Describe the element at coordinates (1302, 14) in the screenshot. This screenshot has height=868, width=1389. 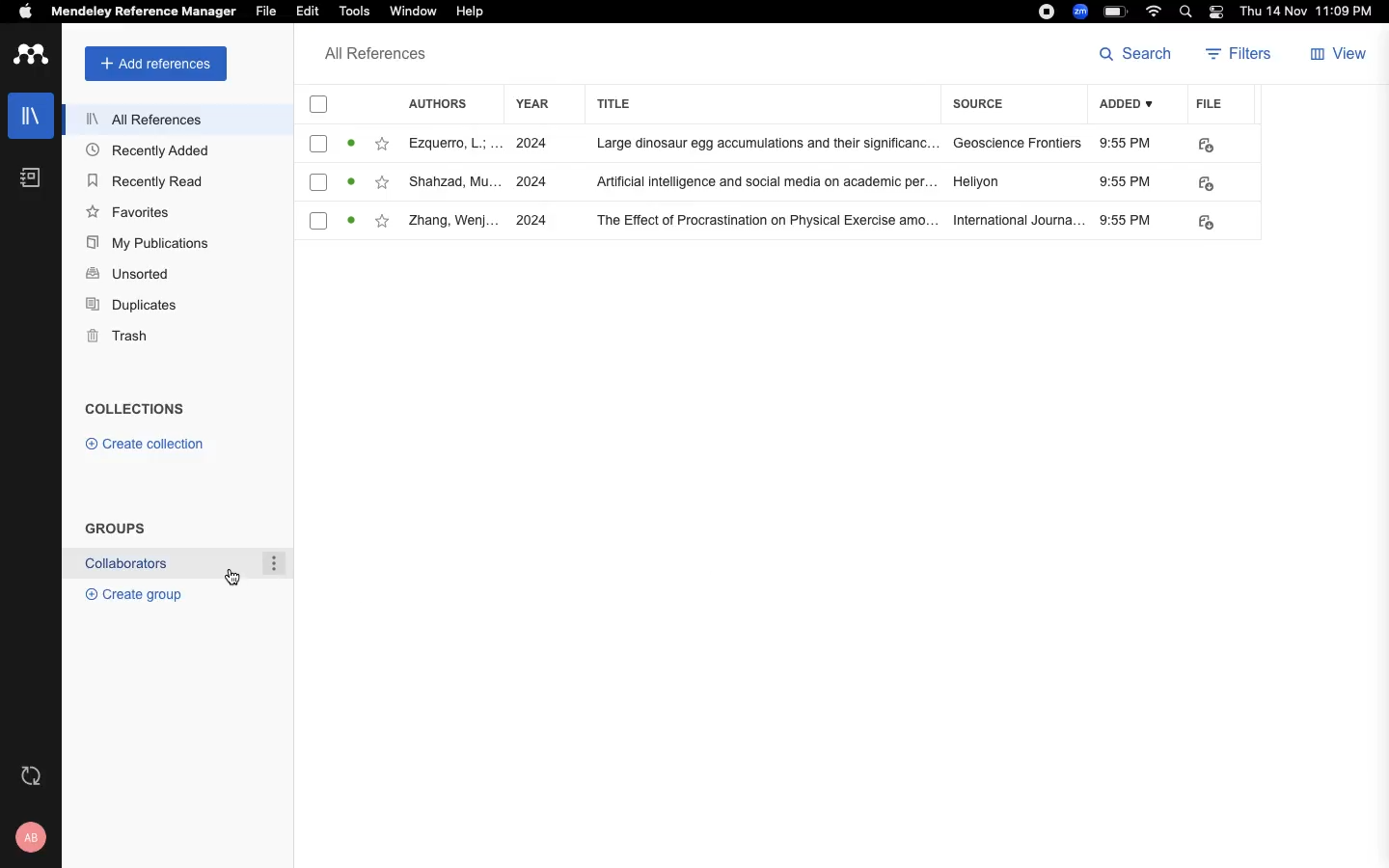
I see `date and time` at that location.